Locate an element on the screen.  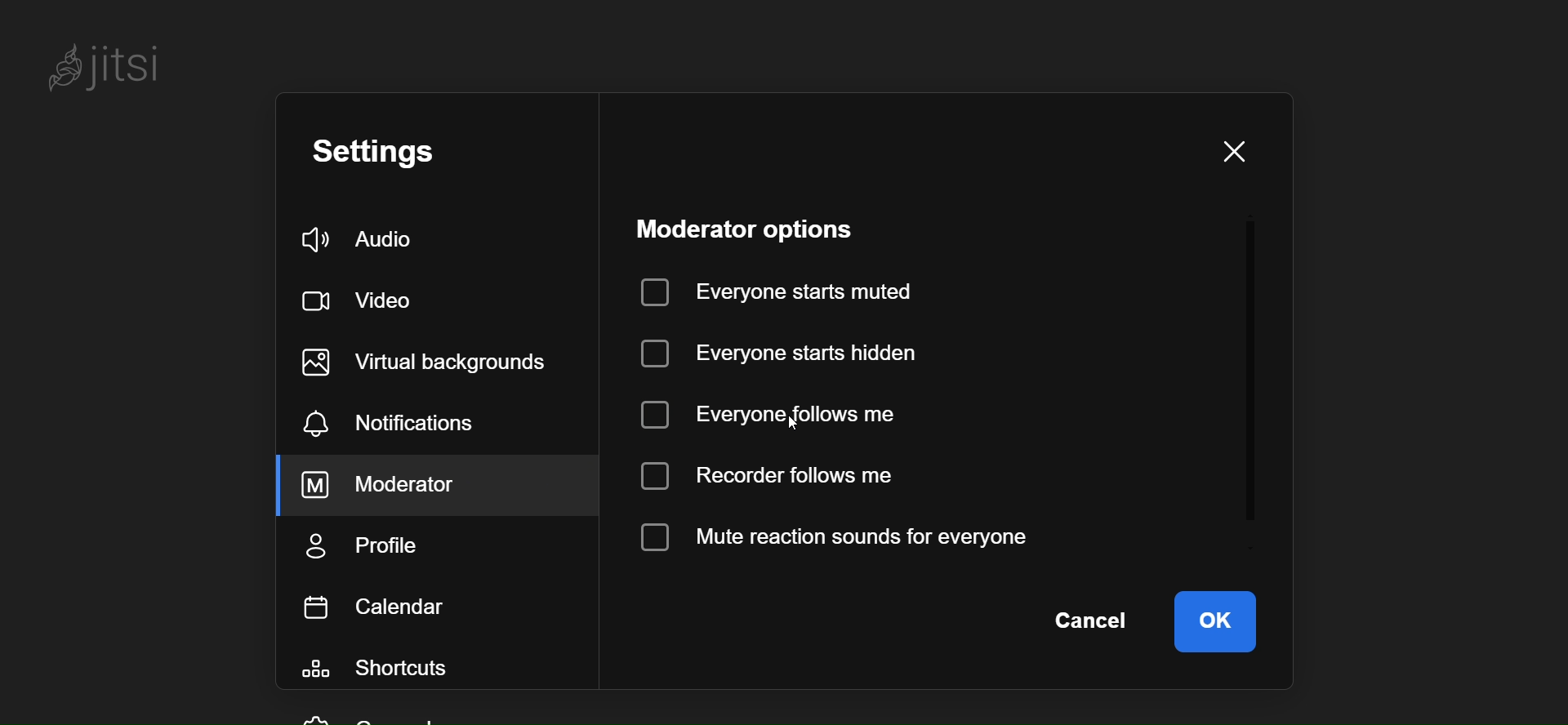
moderator option is located at coordinates (757, 229).